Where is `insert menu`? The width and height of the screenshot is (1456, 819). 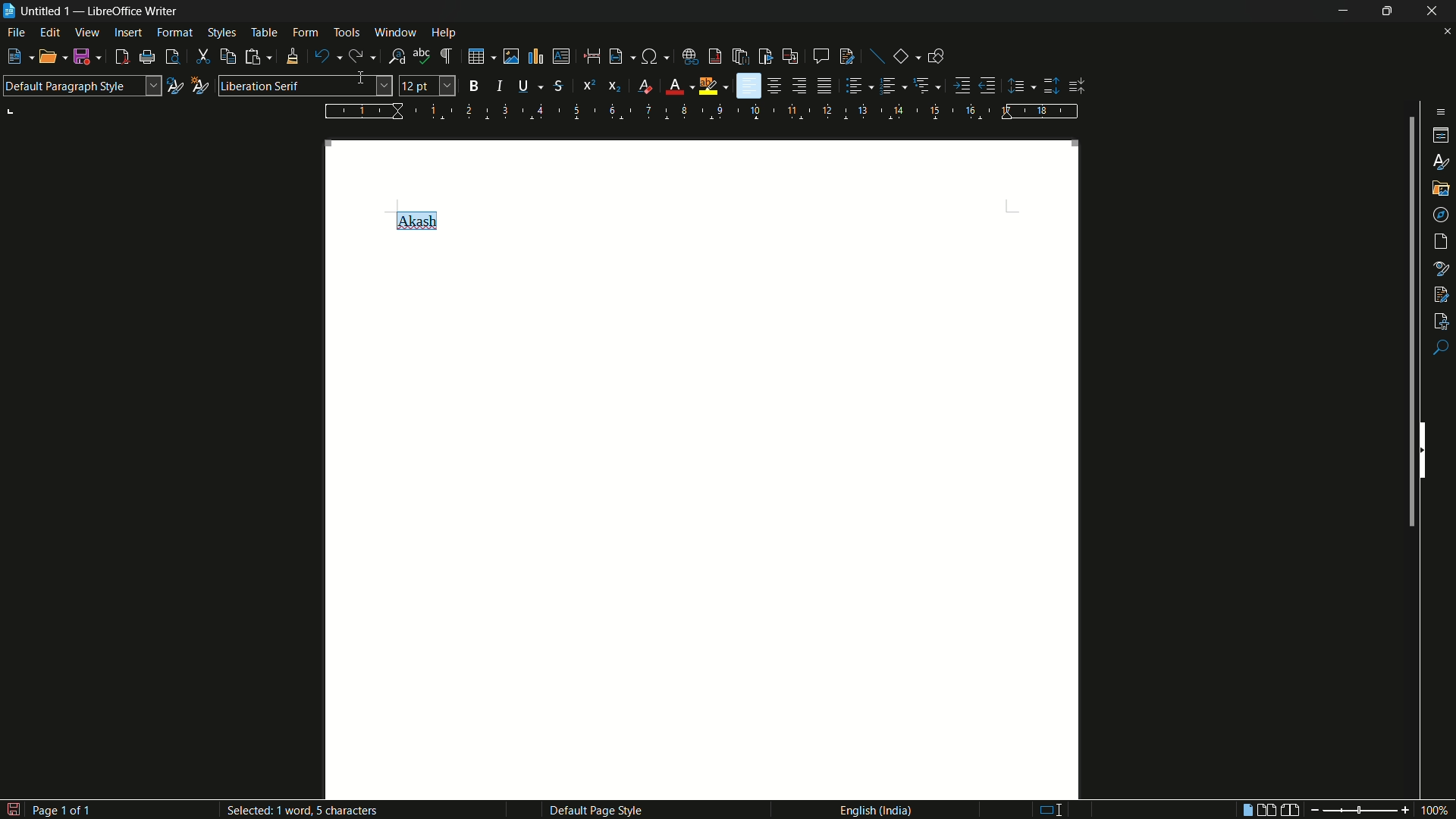
insert menu is located at coordinates (128, 32).